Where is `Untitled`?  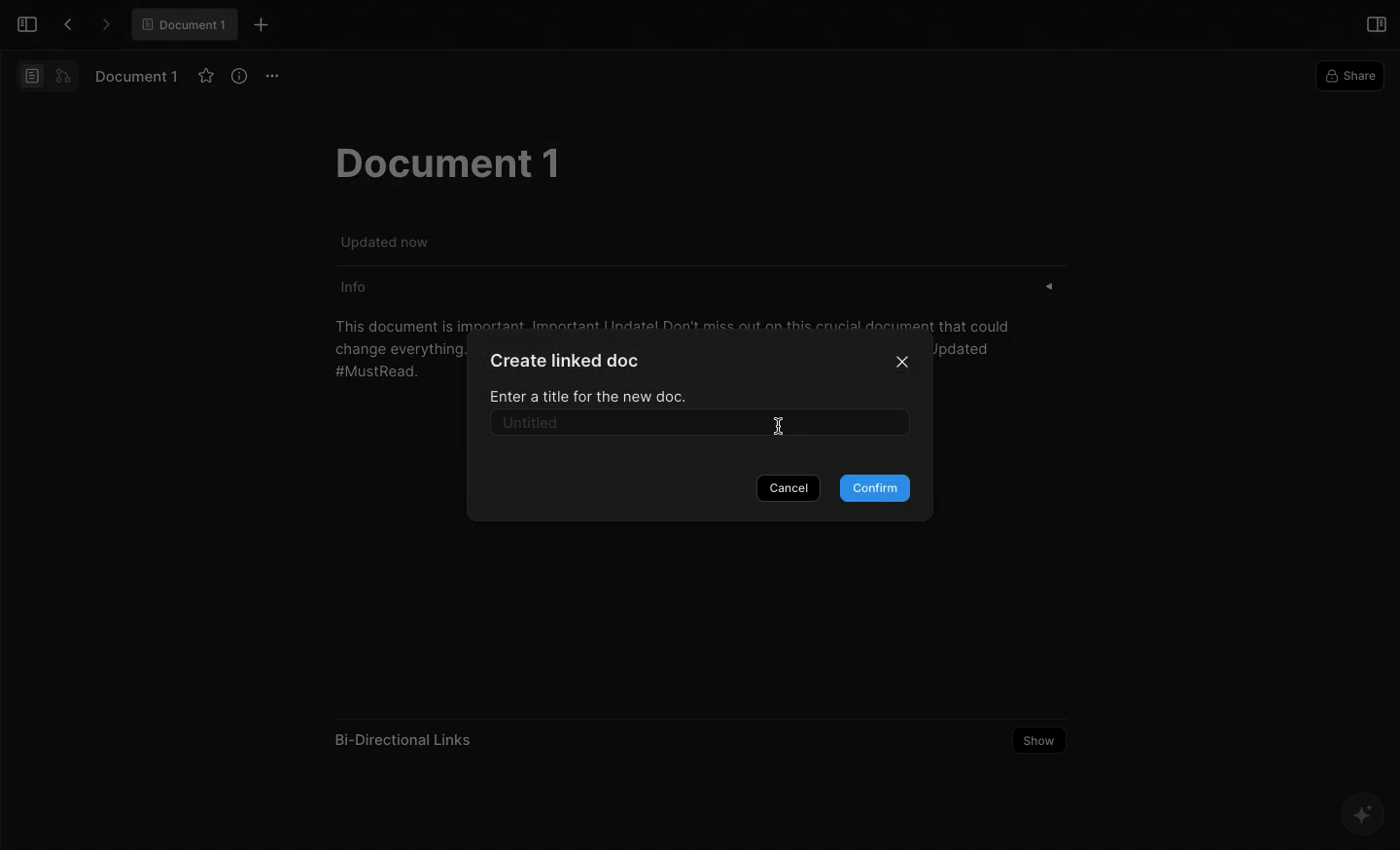
Untitled is located at coordinates (701, 425).